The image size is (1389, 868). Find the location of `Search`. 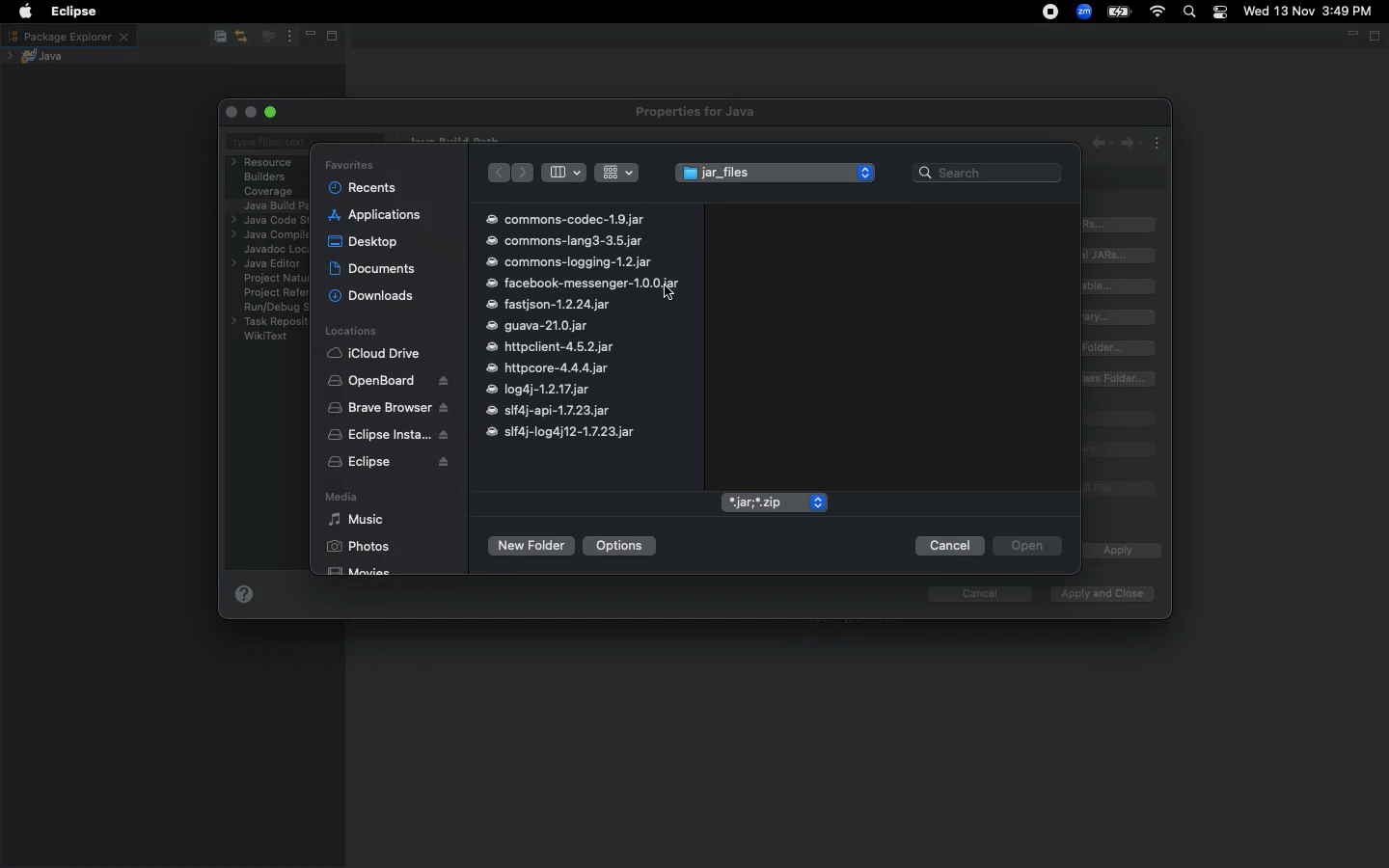

Search is located at coordinates (1190, 14).